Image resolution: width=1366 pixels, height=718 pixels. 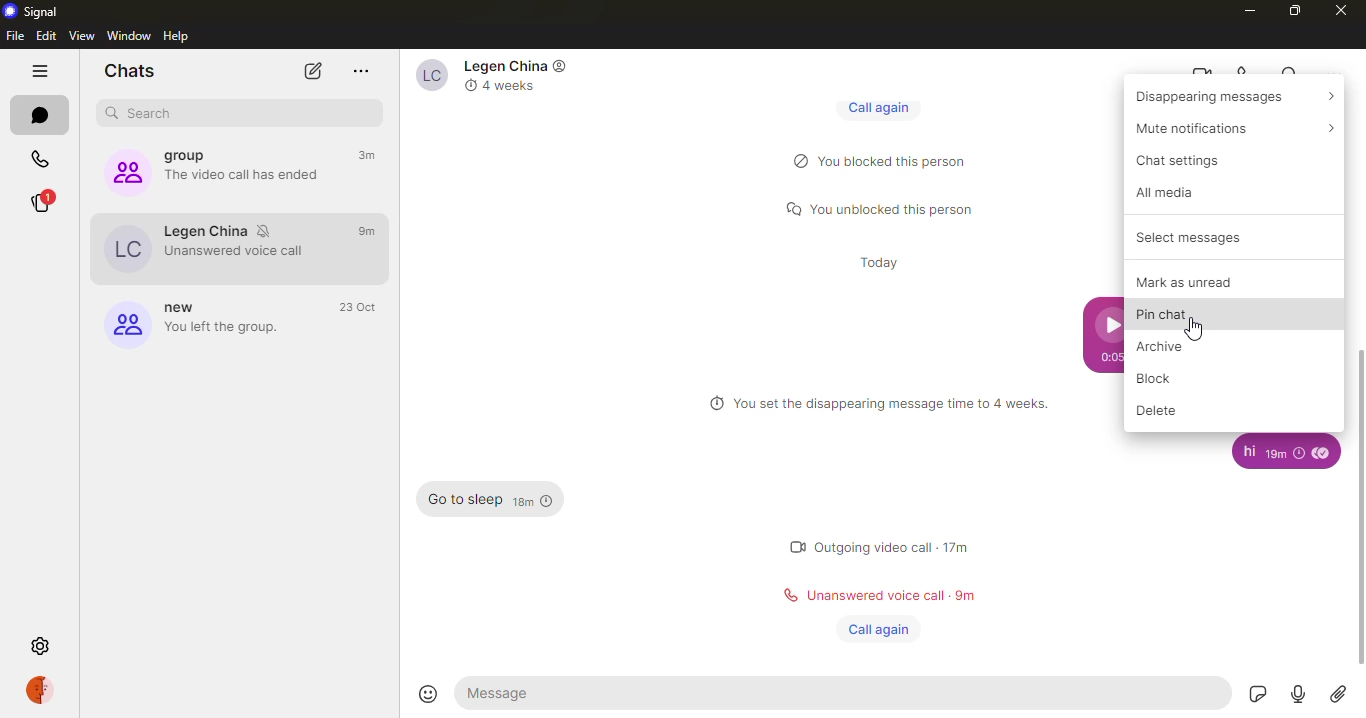 What do you see at coordinates (216, 243) in the screenshot?
I see `contact` at bounding box center [216, 243].